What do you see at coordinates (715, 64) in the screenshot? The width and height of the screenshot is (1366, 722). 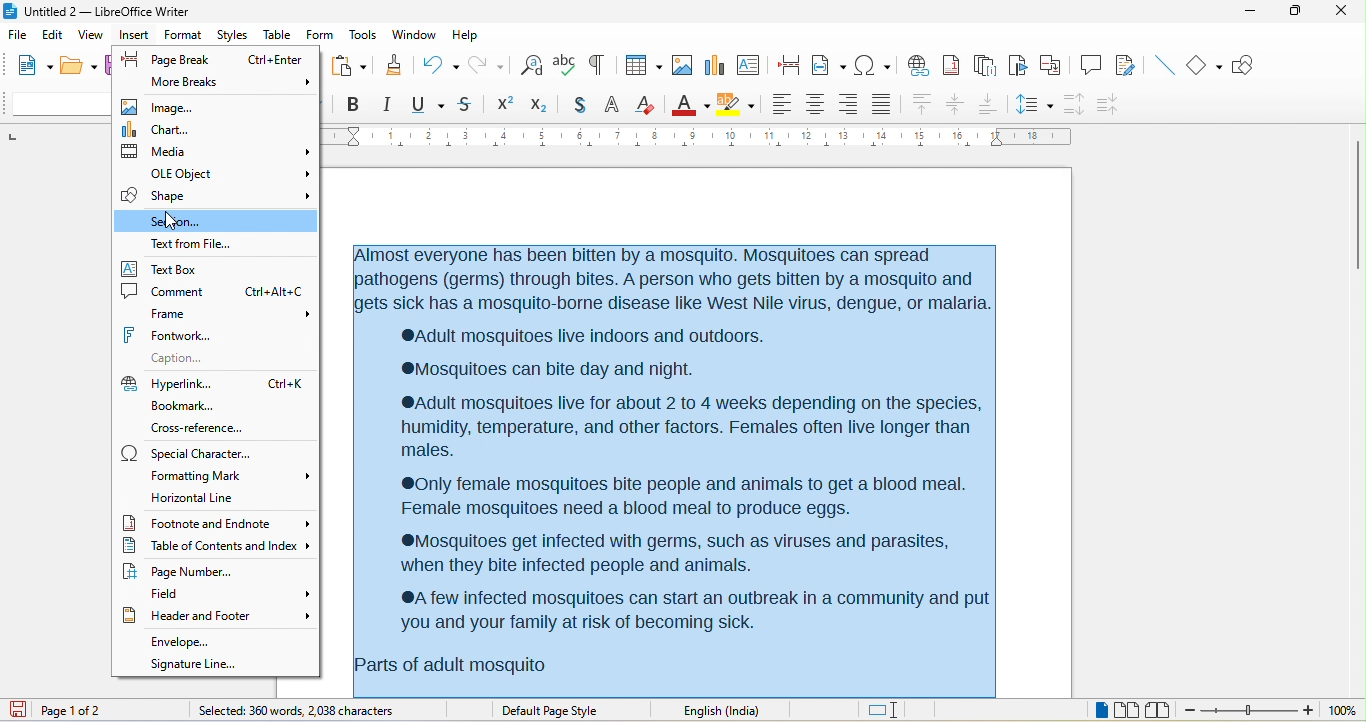 I see `chart` at bounding box center [715, 64].